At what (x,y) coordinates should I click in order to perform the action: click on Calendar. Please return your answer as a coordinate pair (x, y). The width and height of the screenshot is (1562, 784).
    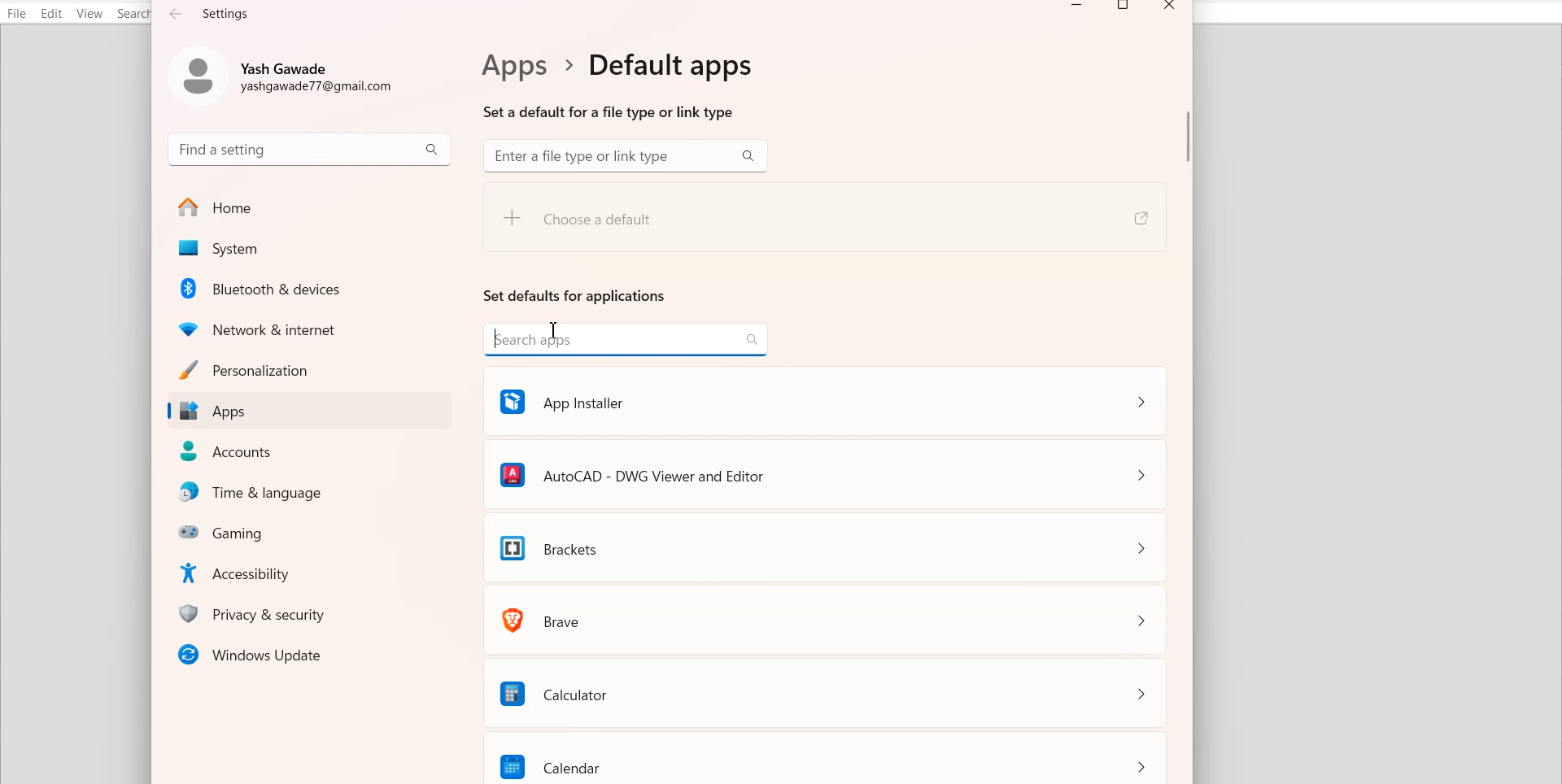
    Looking at the image, I should click on (829, 758).